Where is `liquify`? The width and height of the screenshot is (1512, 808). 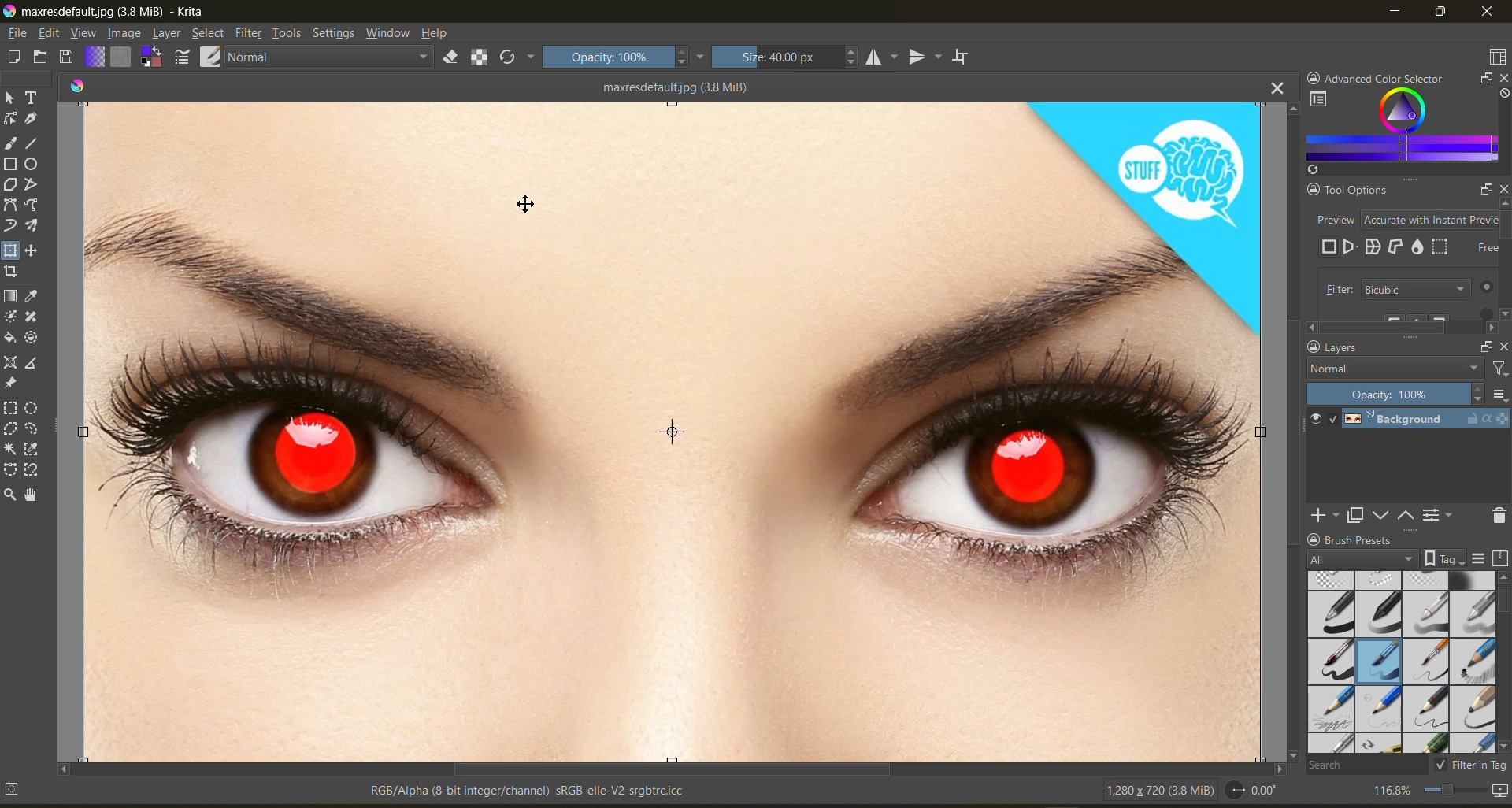
liquify is located at coordinates (1417, 246).